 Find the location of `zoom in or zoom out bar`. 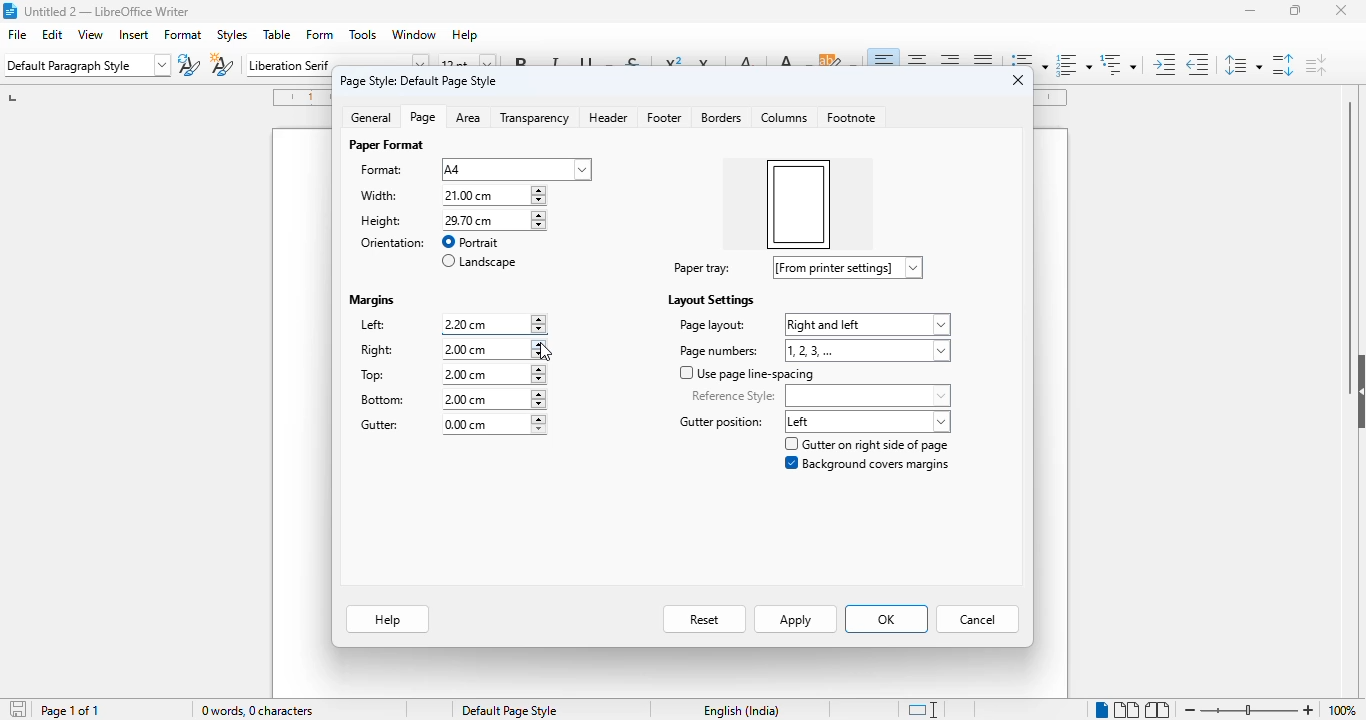

zoom in or zoom out bar is located at coordinates (1248, 711).